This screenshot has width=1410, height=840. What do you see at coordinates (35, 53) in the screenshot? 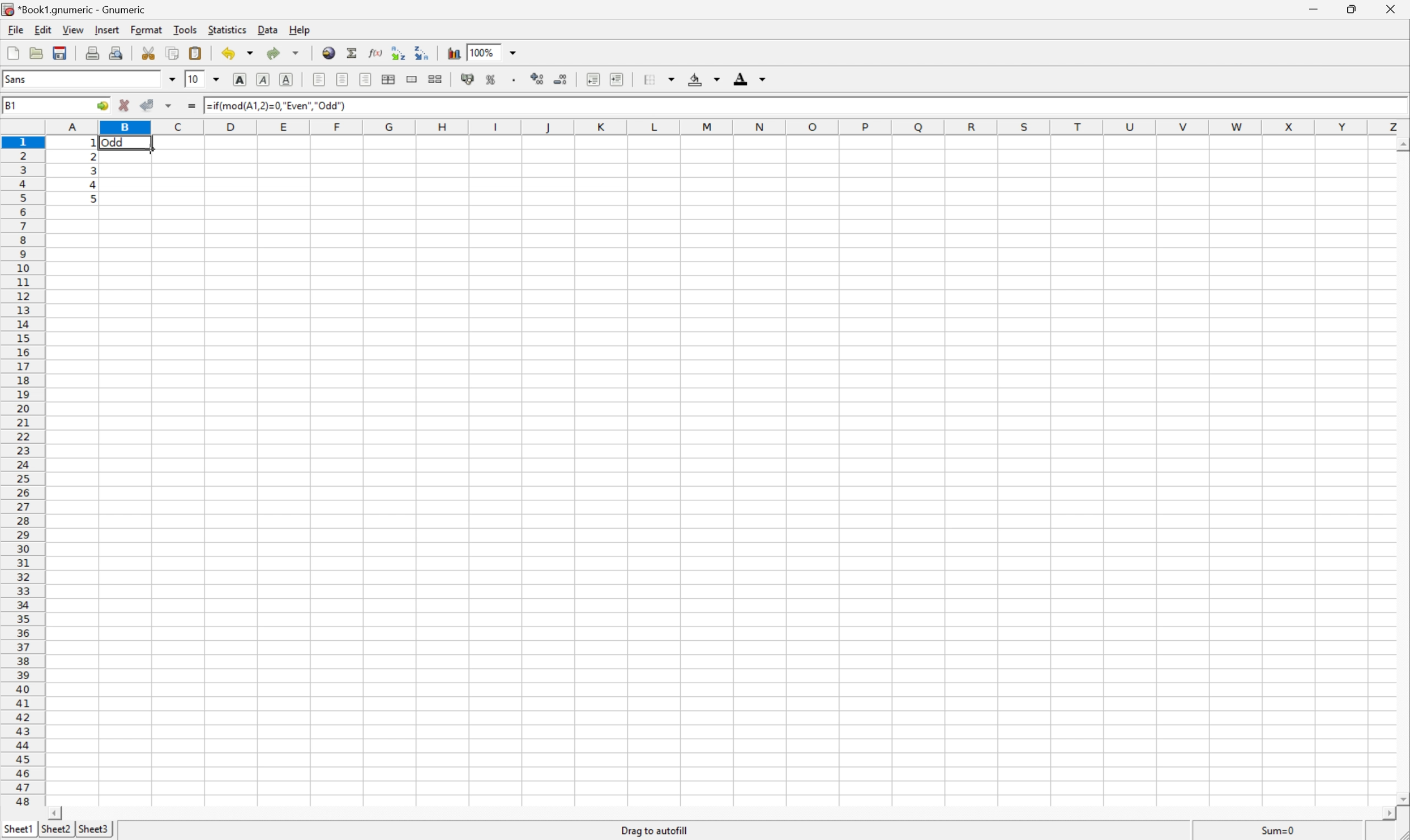
I see `Open a file` at bounding box center [35, 53].